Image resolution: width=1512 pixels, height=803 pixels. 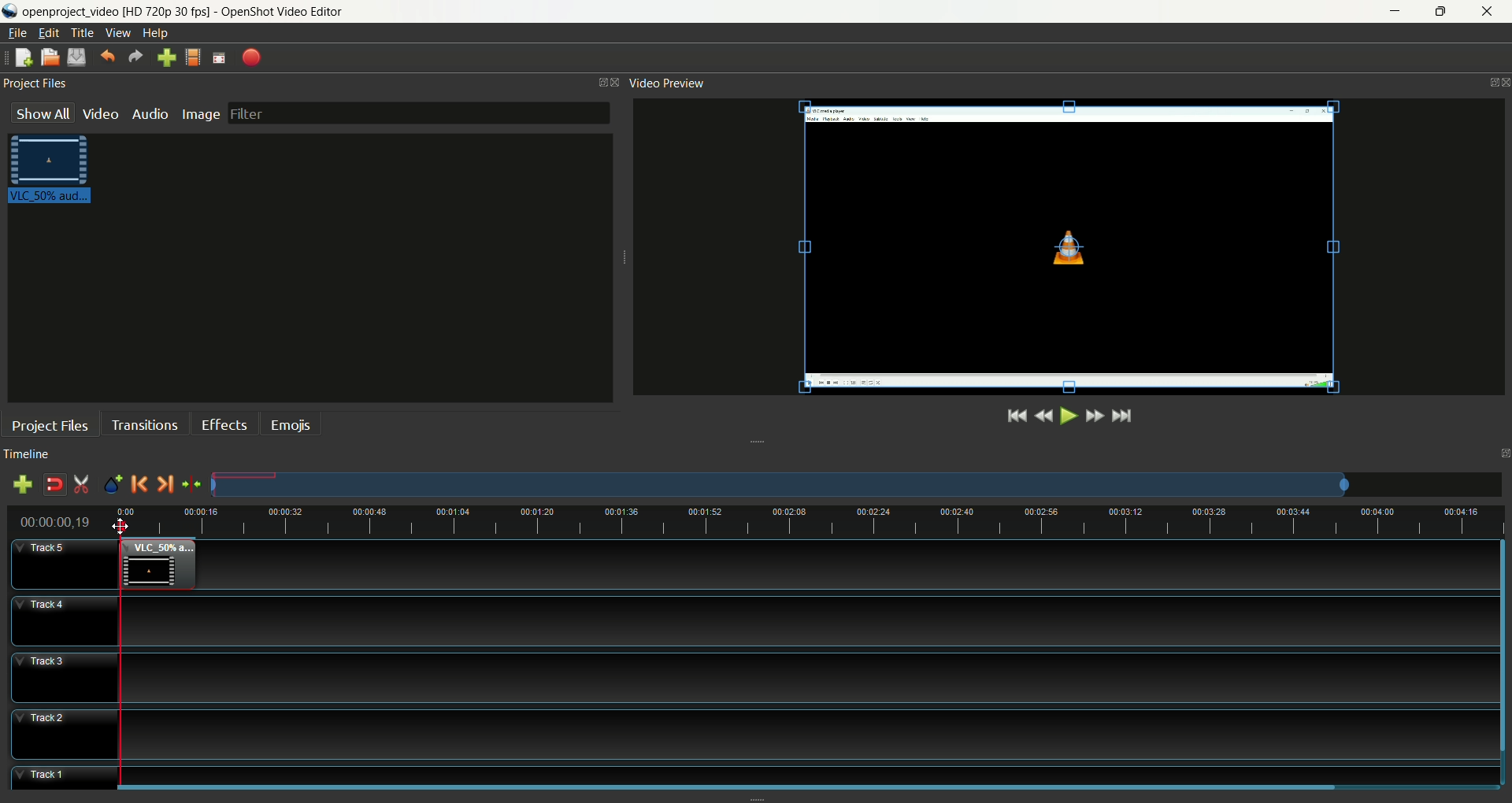 What do you see at coordinates (107, 54) in the screenshot?
I see `undo` at bounding box center [107, 54].